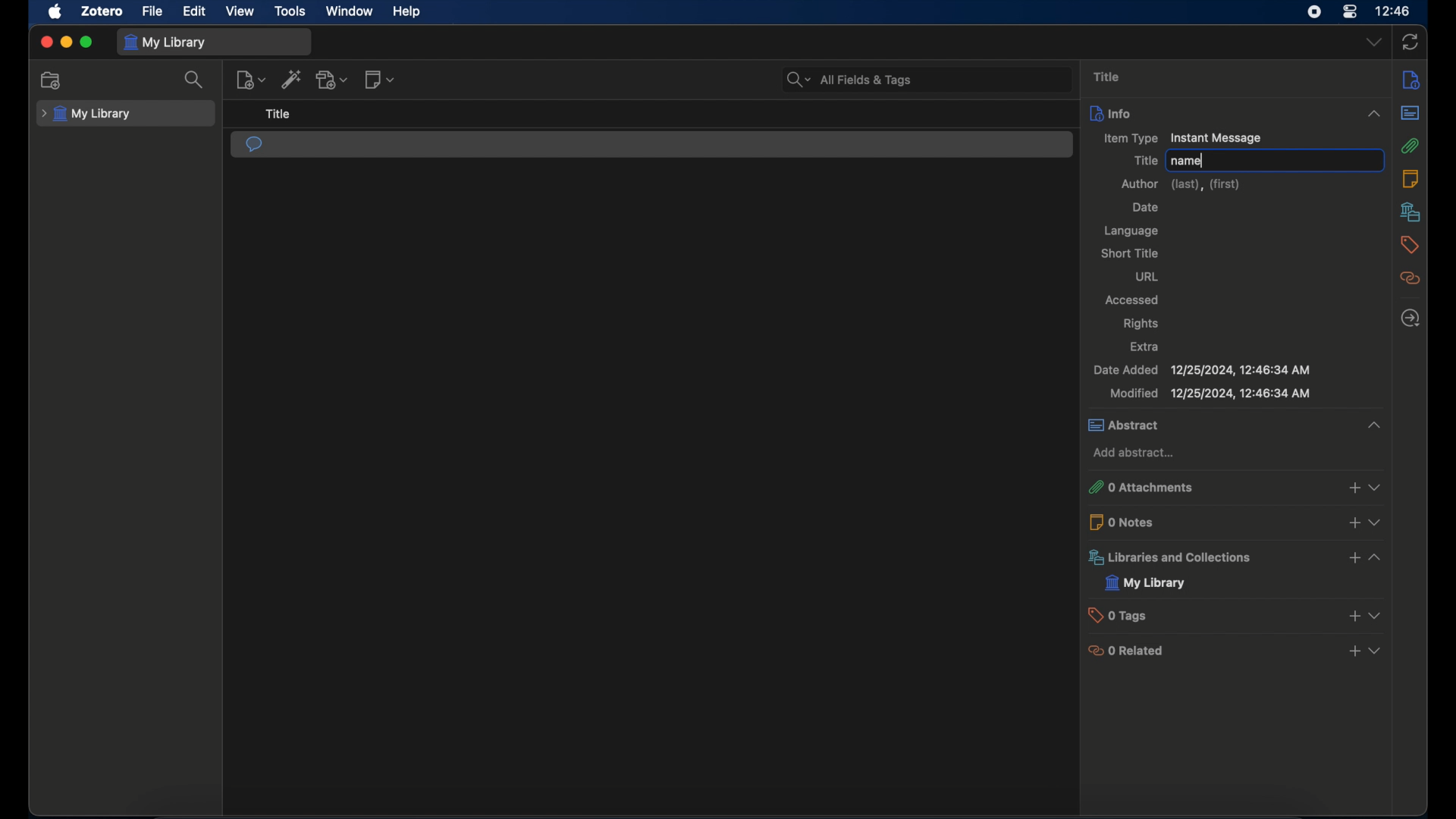  What do you see at coordinates (1233, 487) in the screenshot?
I see `0 attachments` at bounding box center [1233, 487].